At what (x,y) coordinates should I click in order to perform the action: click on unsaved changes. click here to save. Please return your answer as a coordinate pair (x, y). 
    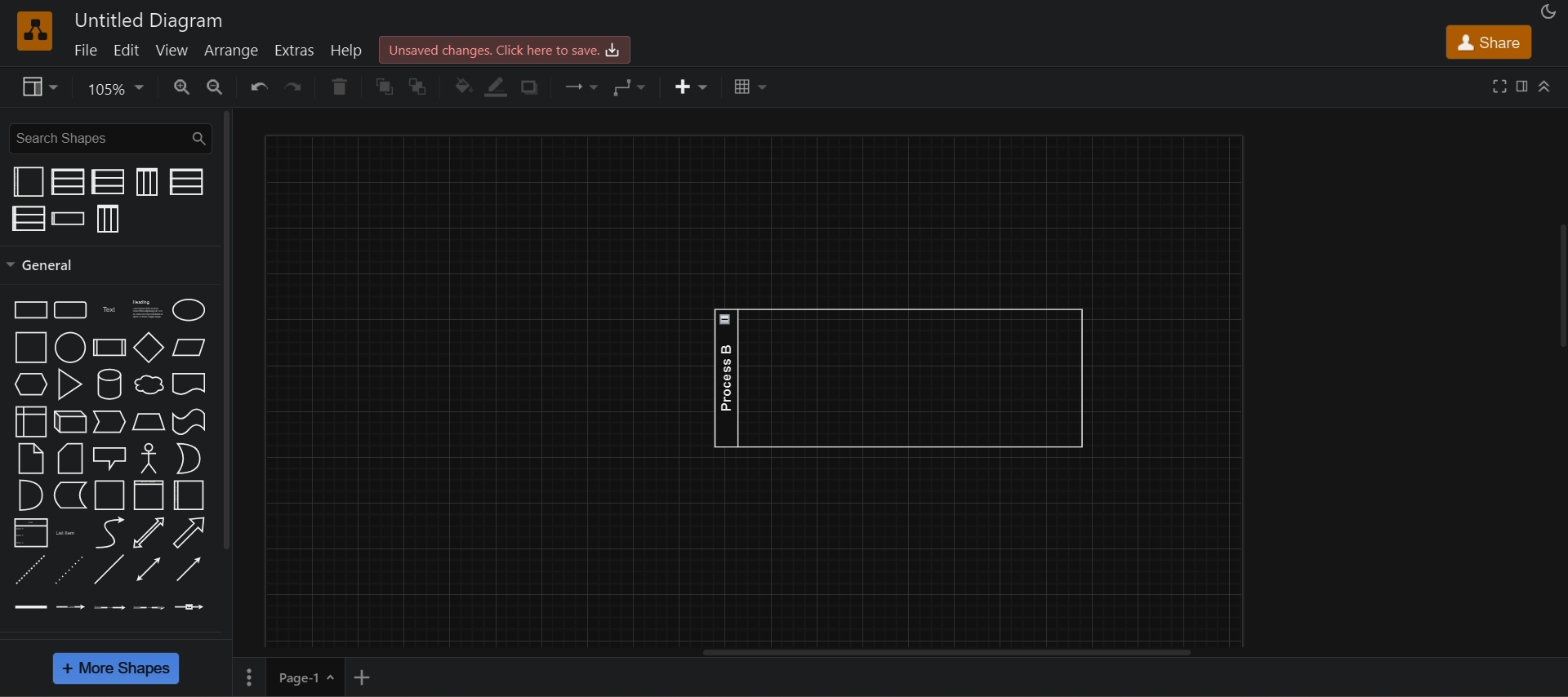
    Looking at the image, I should click on (510, 48).